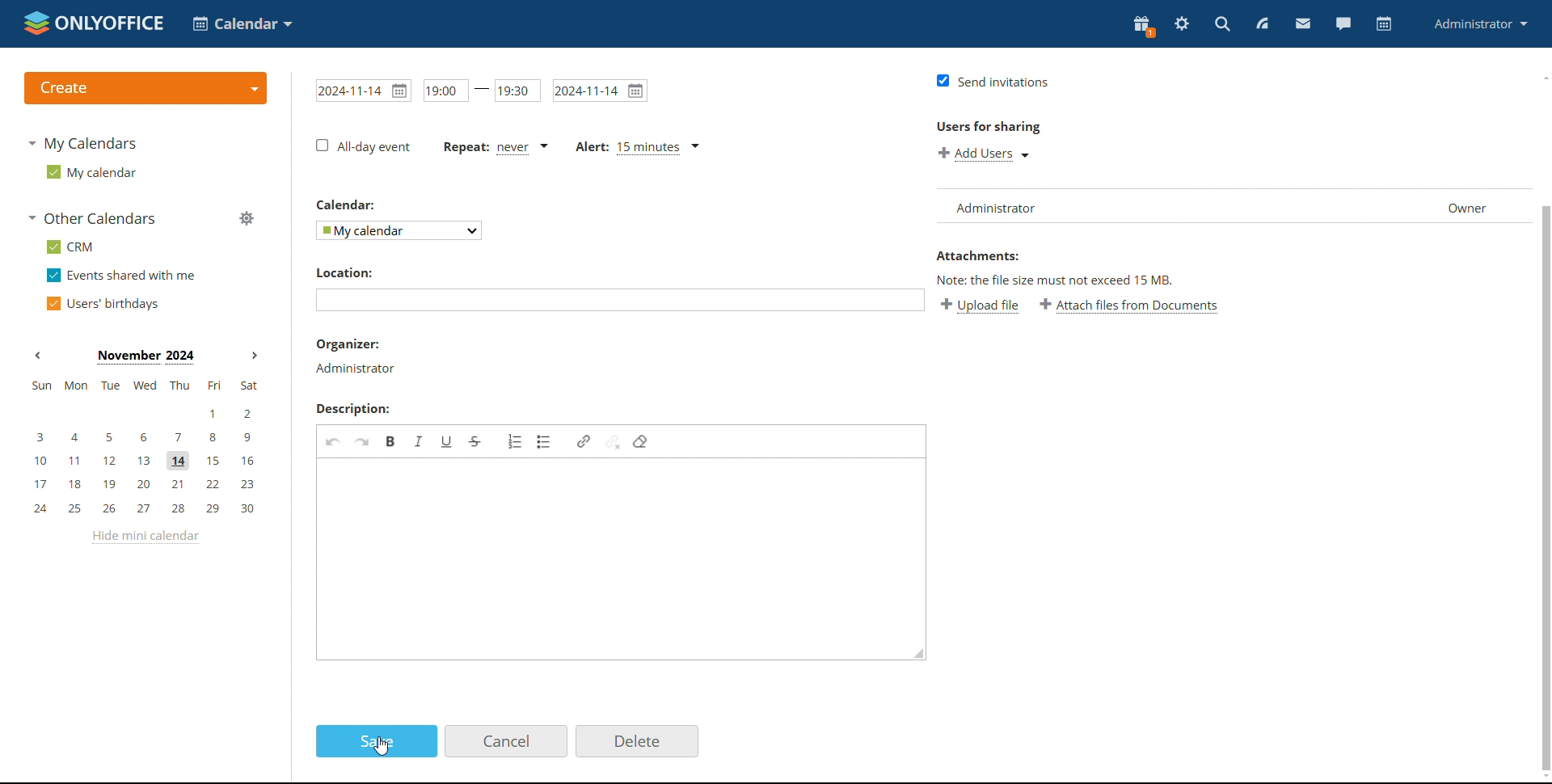 This screenshot has width=1552, height=784. I want to click on italic, so click(419, 440).